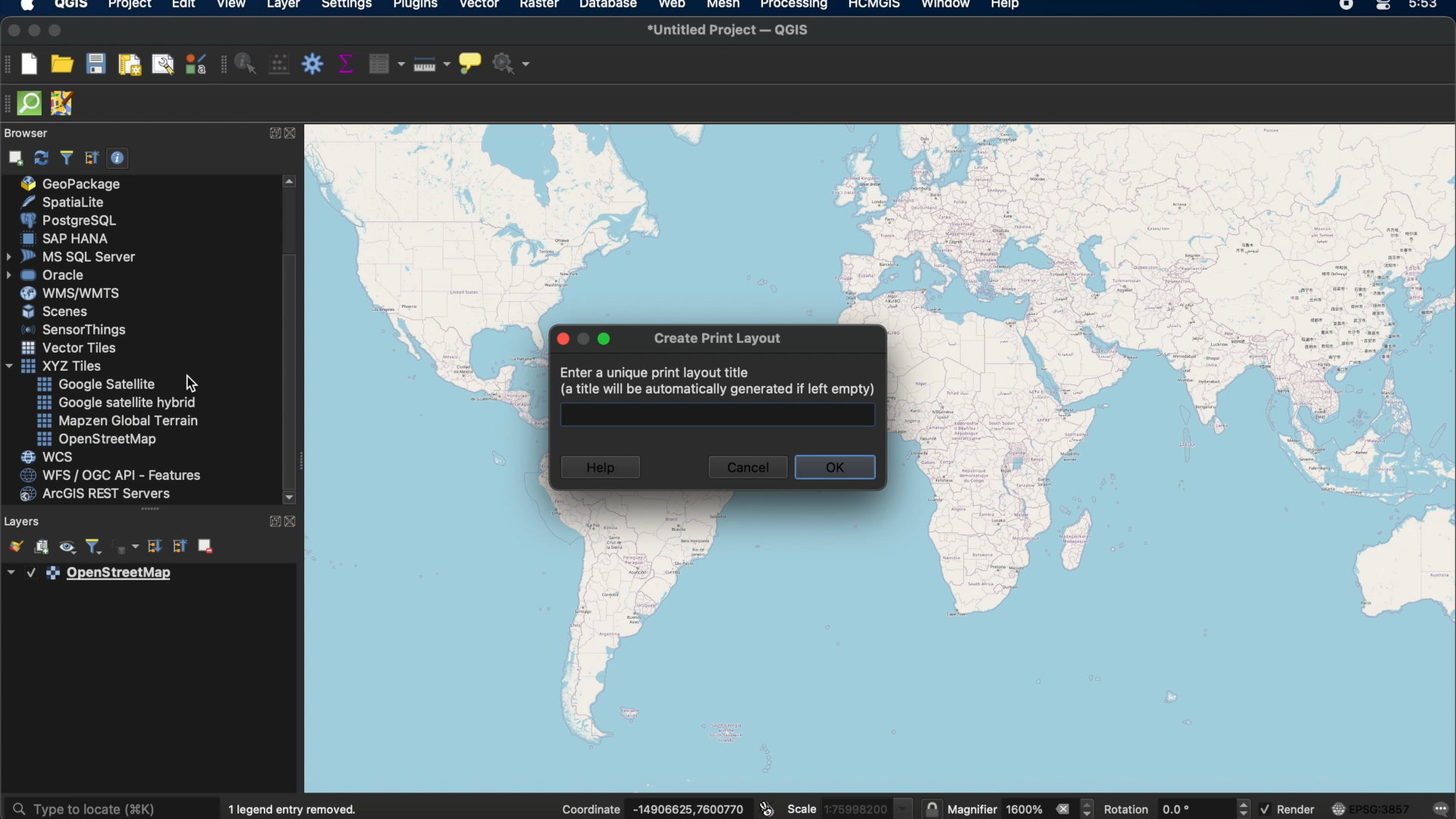  I want to click on collapse all, so click(92, 158).